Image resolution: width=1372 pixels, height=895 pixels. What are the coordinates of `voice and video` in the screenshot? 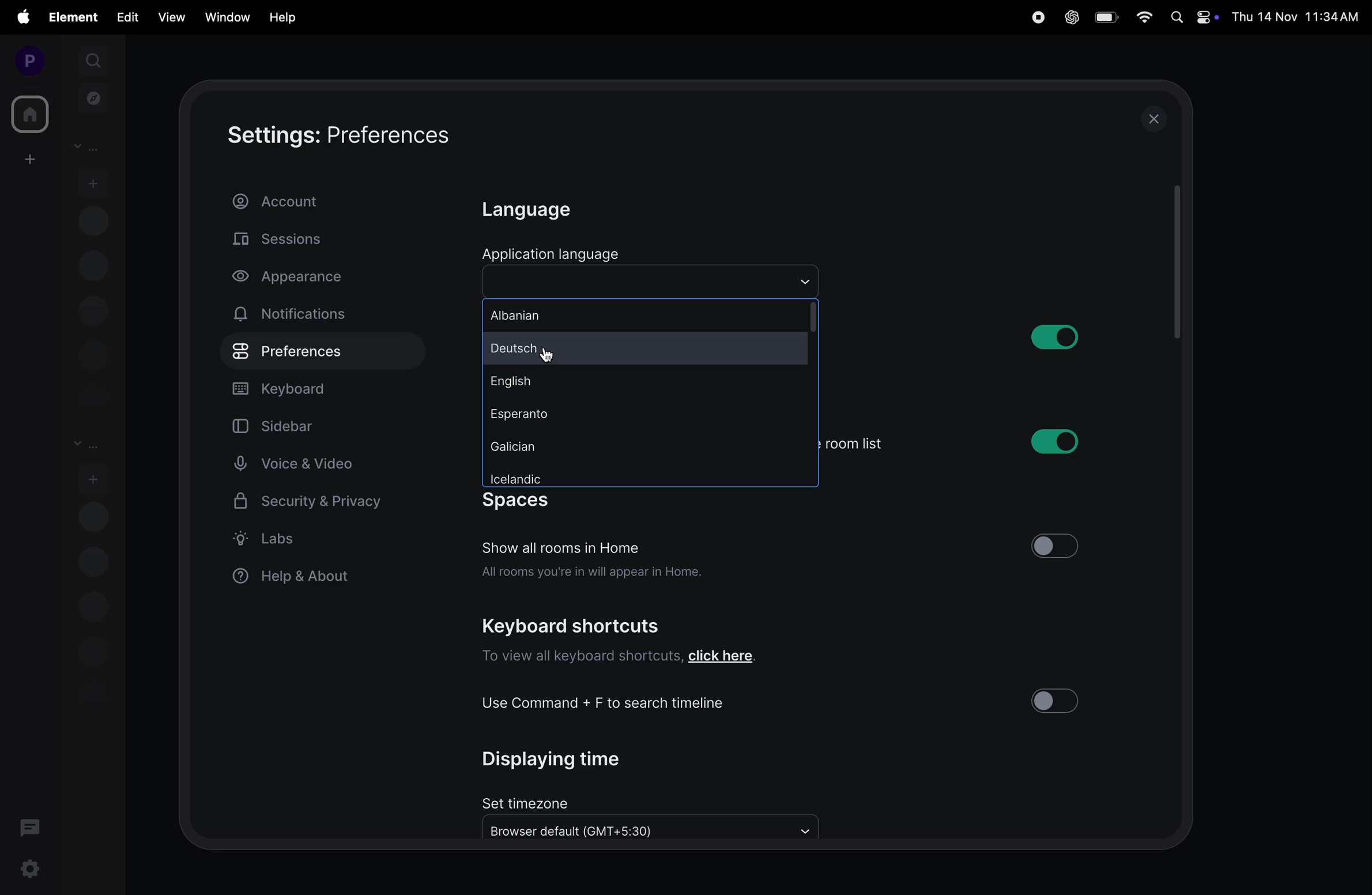 It's located at (306, 465).